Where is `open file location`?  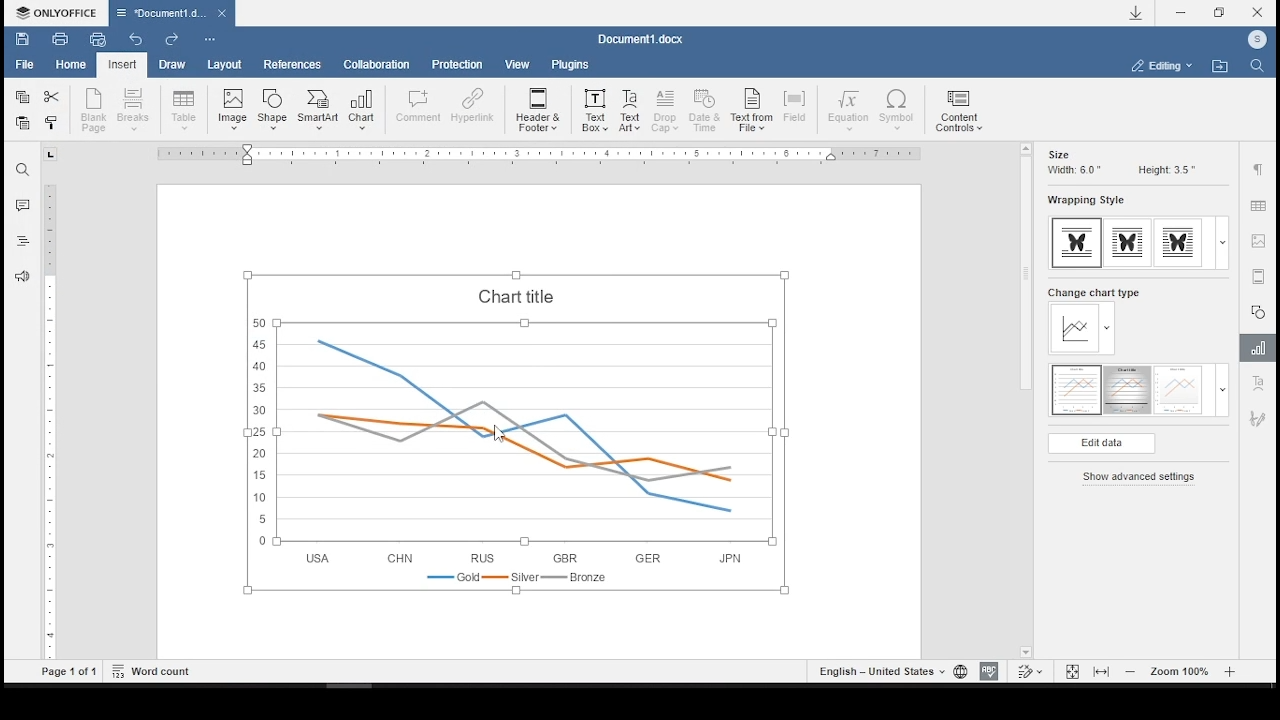
open file location is located at coordinates (1219, 67).